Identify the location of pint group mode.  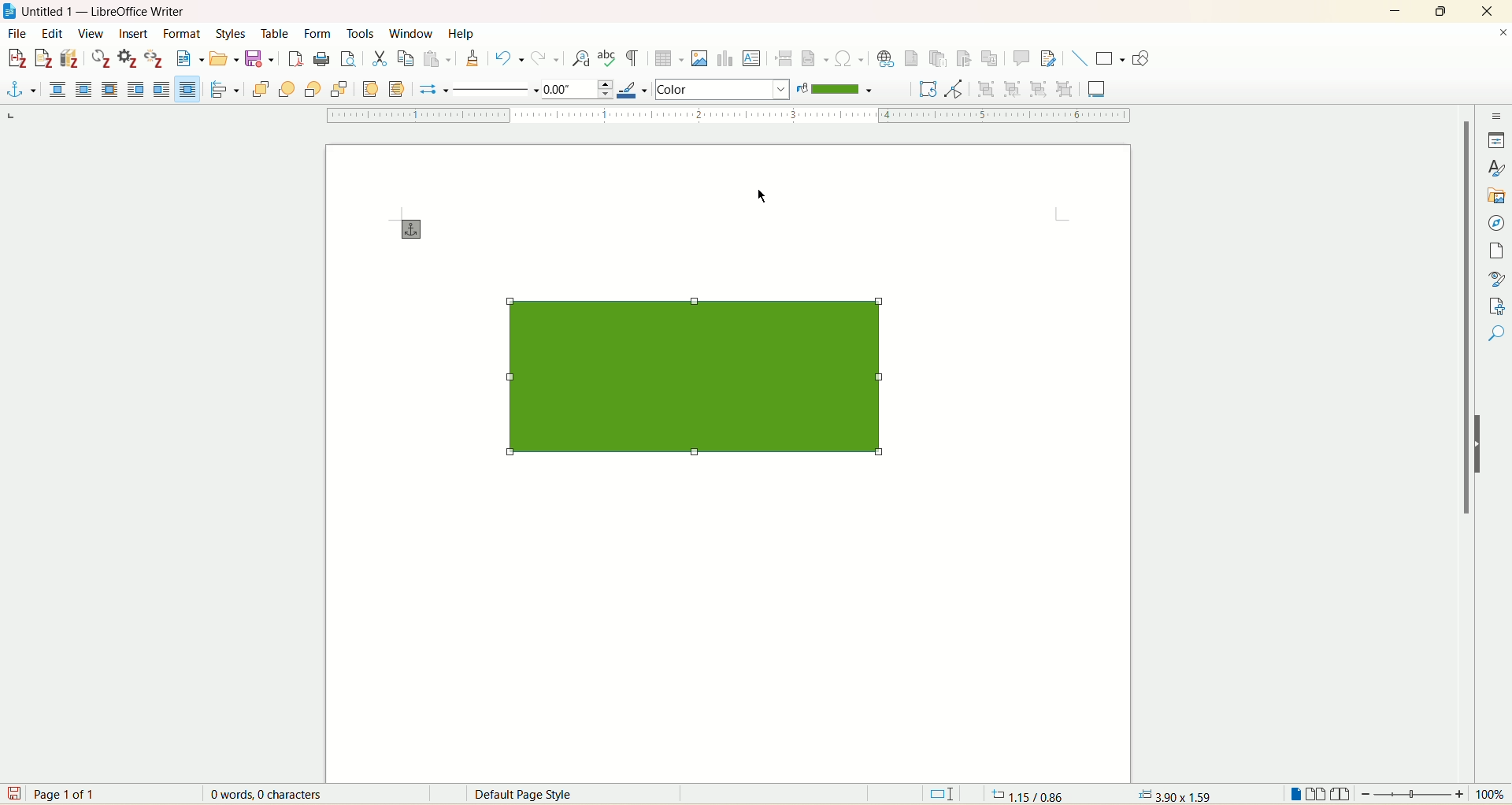
(954, 89).